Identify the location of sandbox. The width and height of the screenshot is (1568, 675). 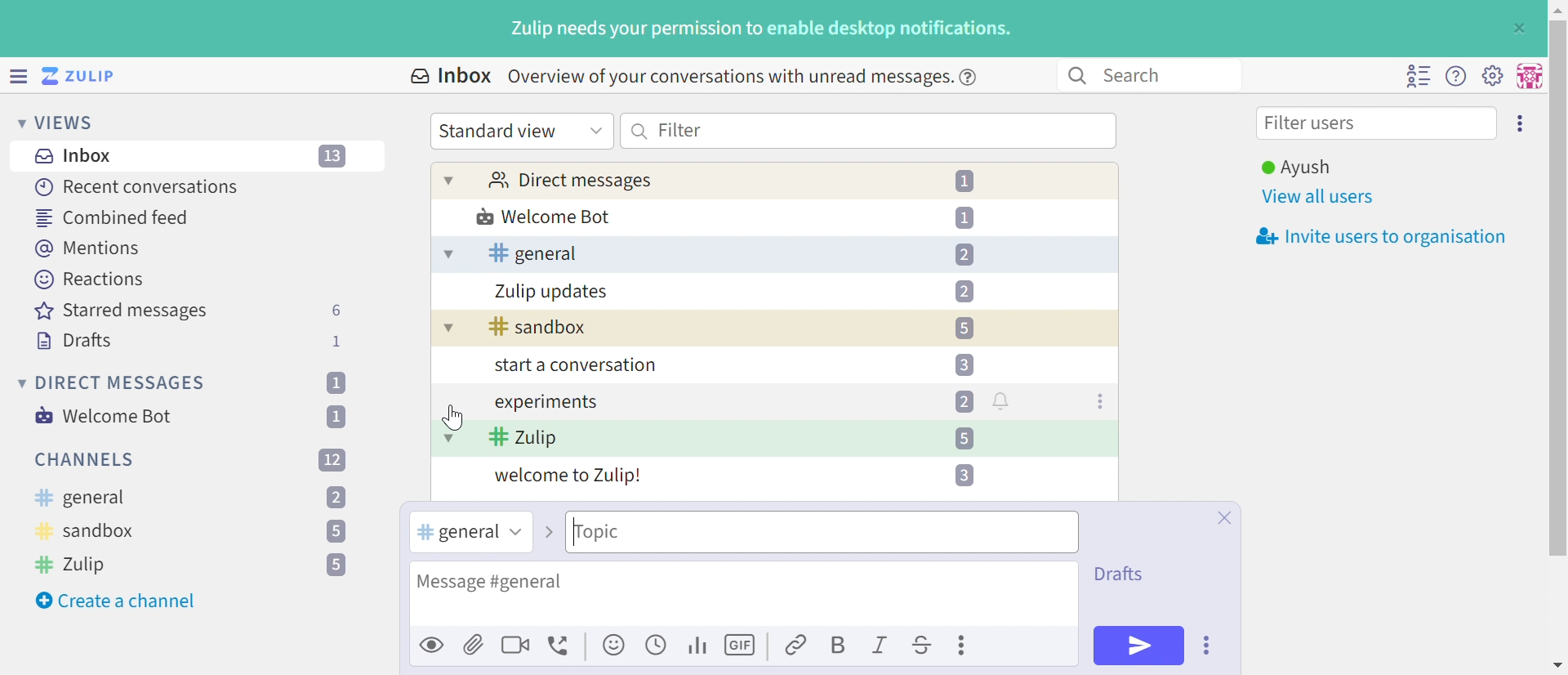
(87, 534).